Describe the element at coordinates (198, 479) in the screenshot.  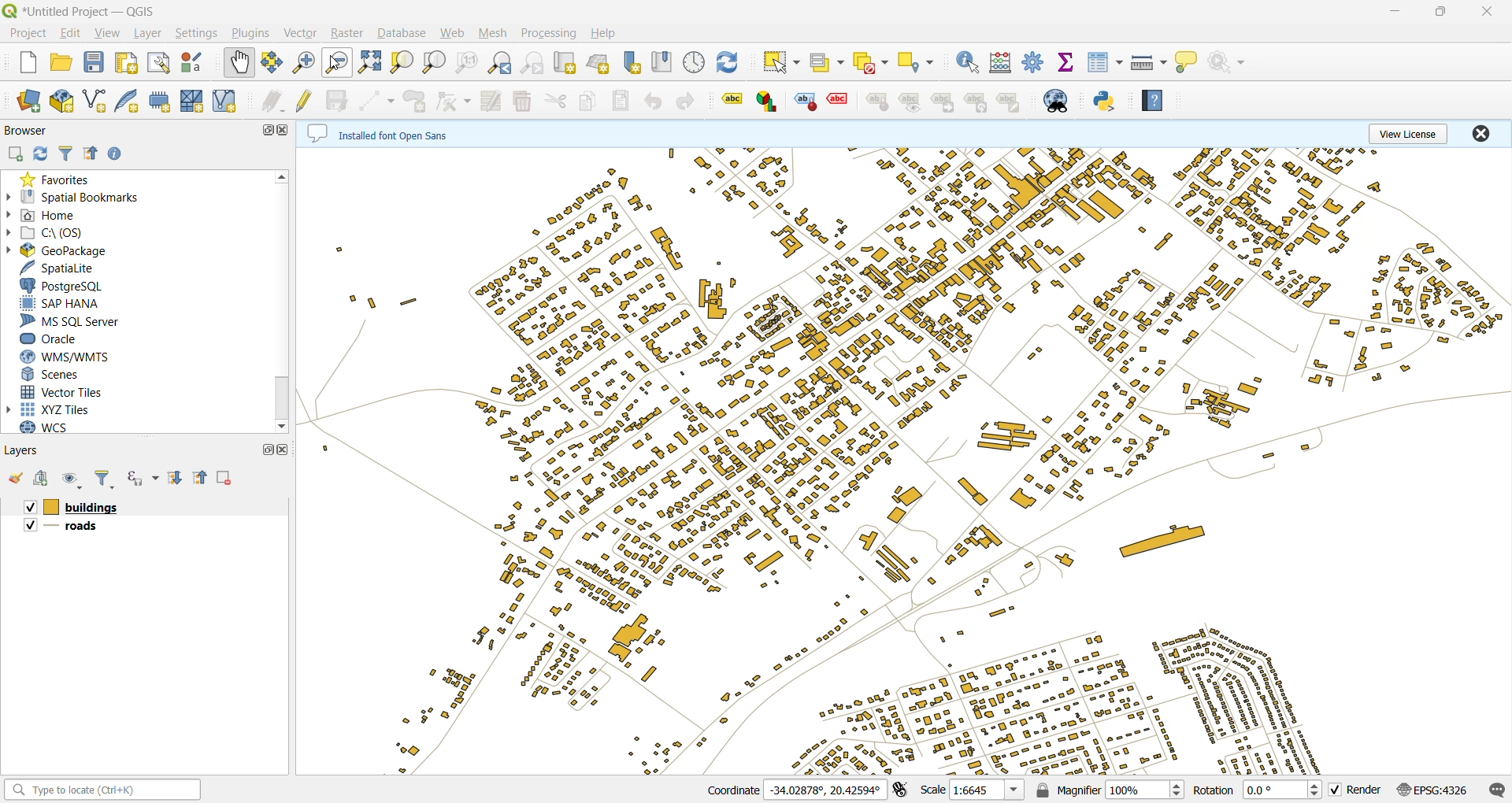
I see `collapse all` at that location.